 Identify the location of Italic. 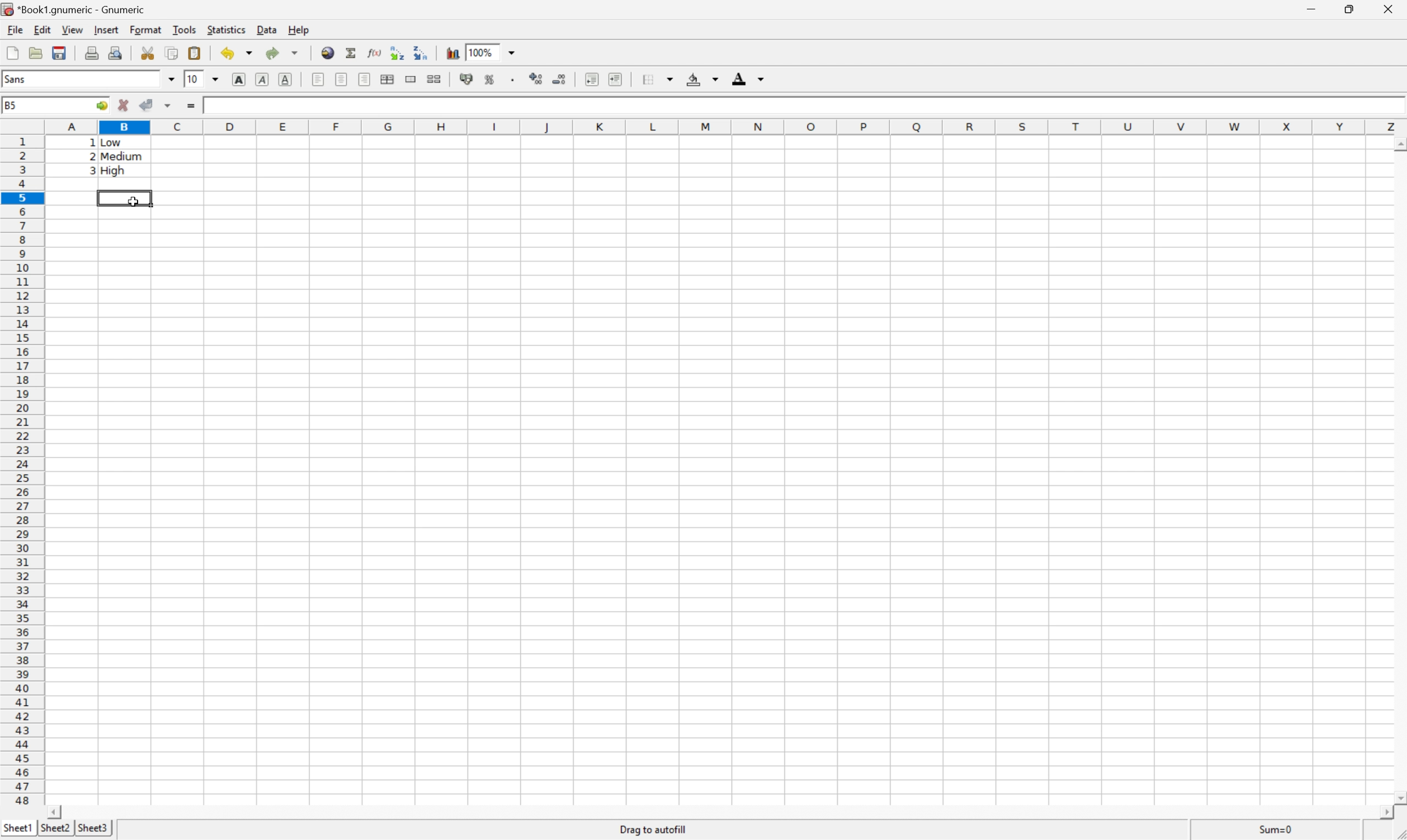
(263, 80).